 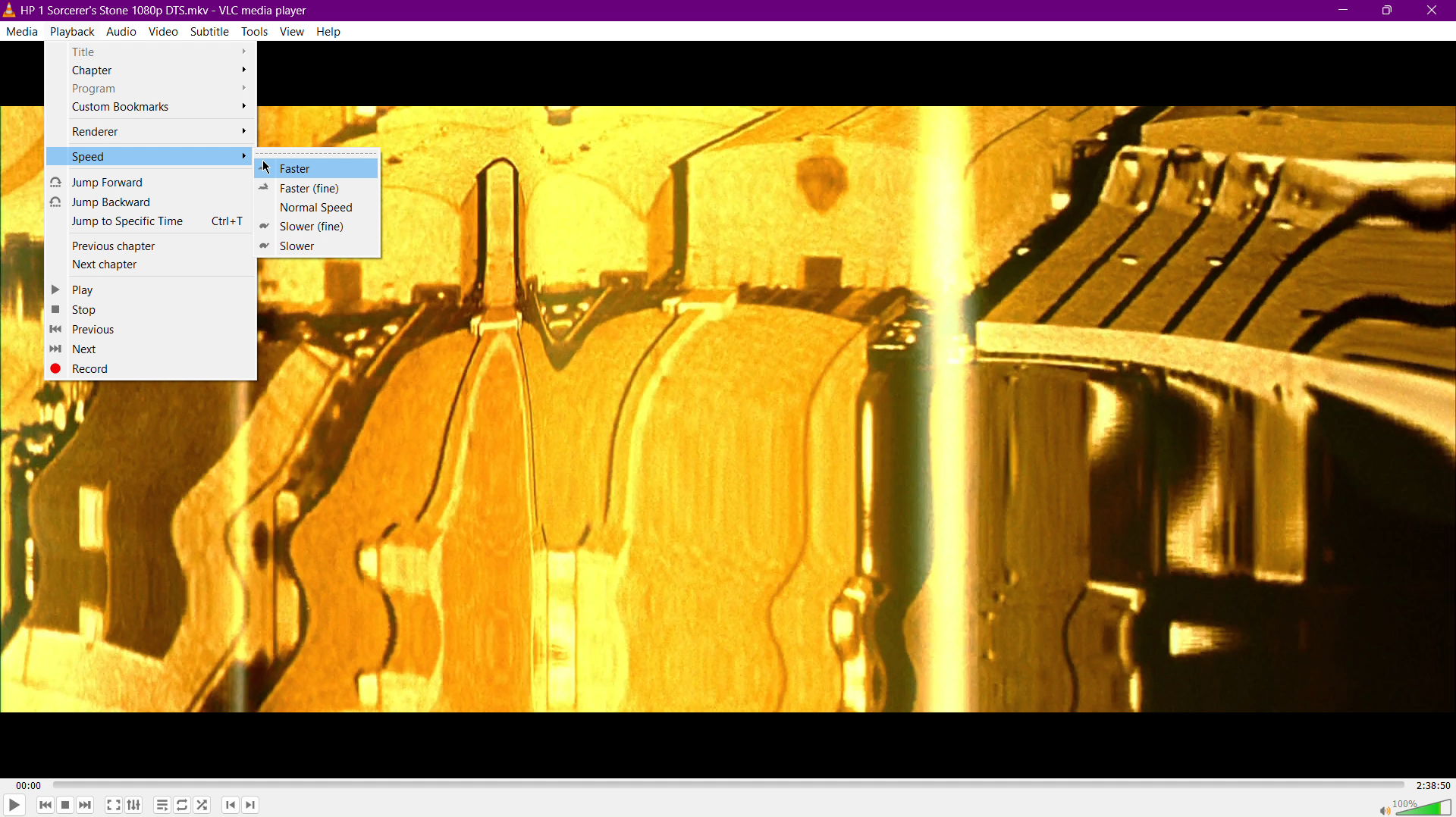 I want to click on Toggle Loop, so click(x=183, y=805).